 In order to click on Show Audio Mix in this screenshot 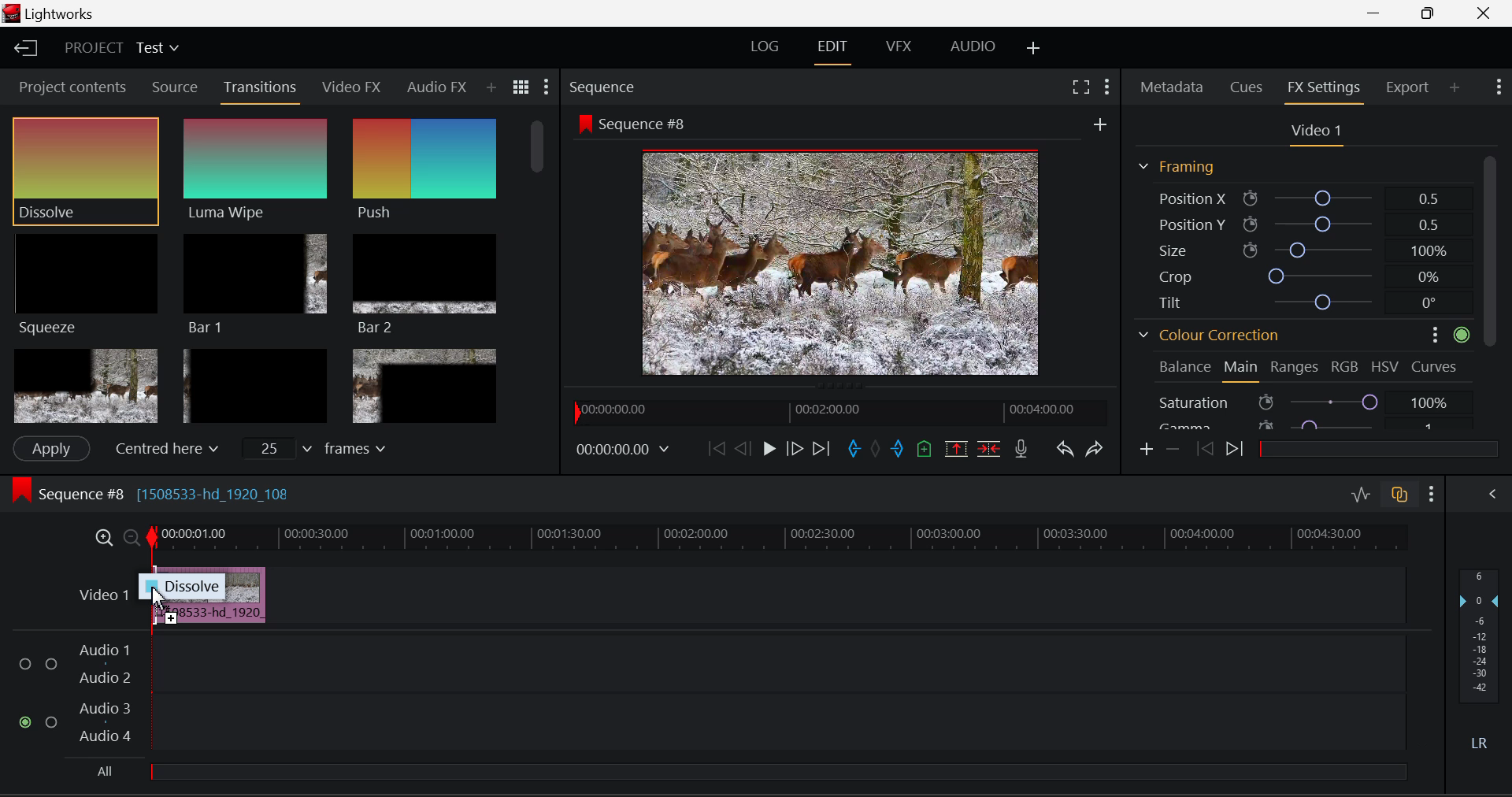, I will do `click(1492, 494)`.